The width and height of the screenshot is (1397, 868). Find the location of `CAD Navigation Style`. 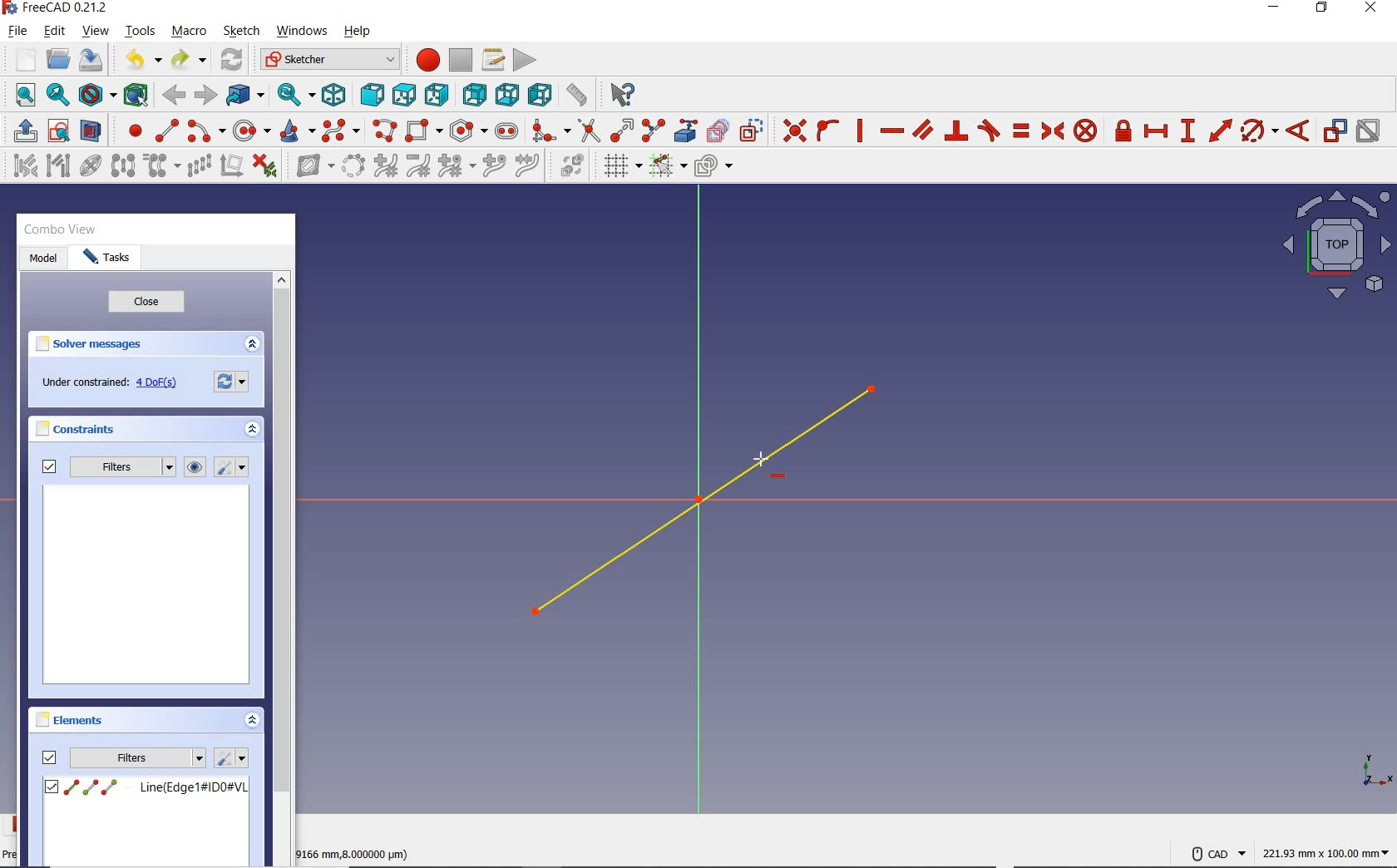

CAD Navigation Style is located at coordinates (1217, 853).